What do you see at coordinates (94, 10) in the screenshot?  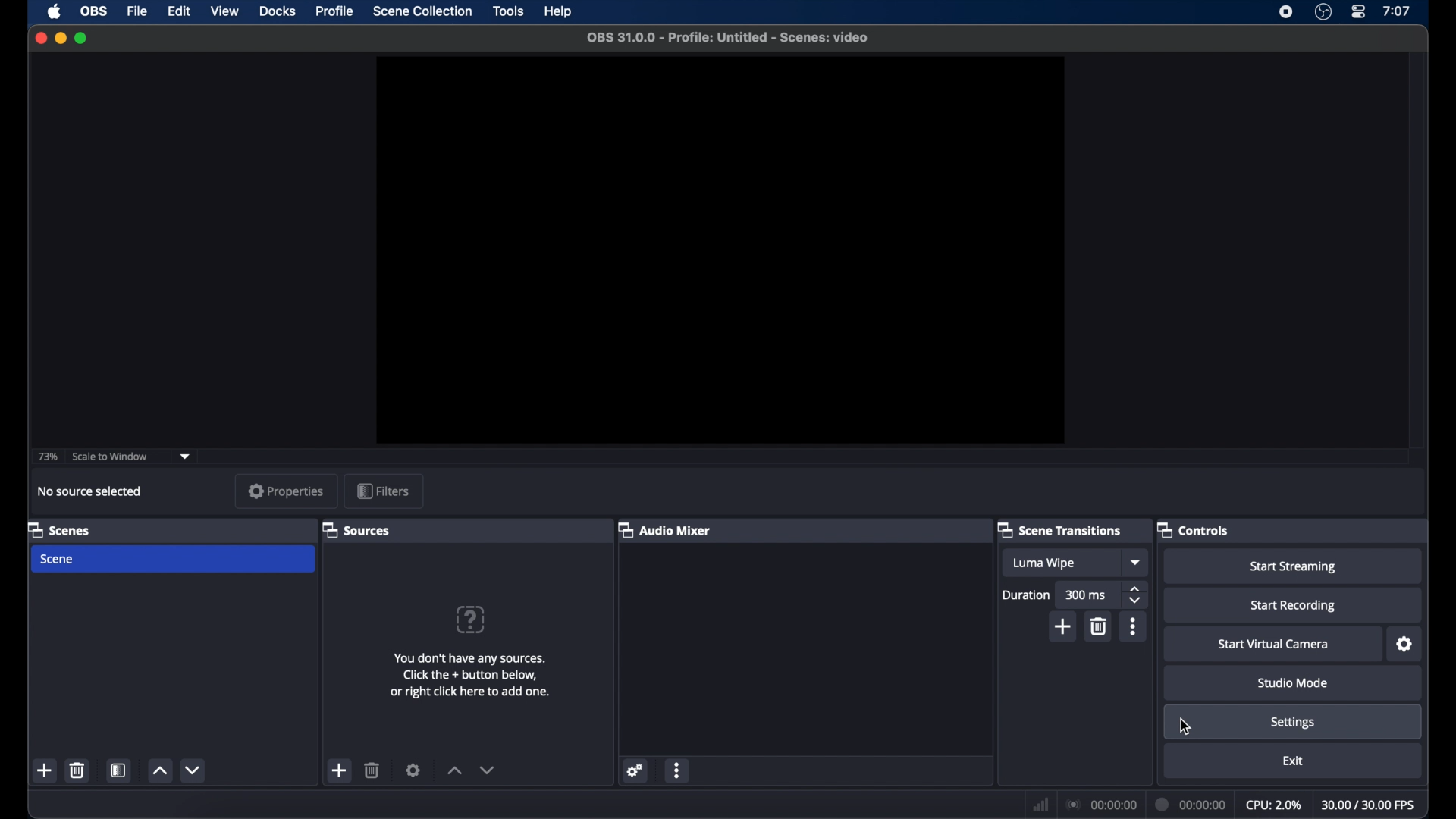 I see `obs` at bounding box center [94, 10].